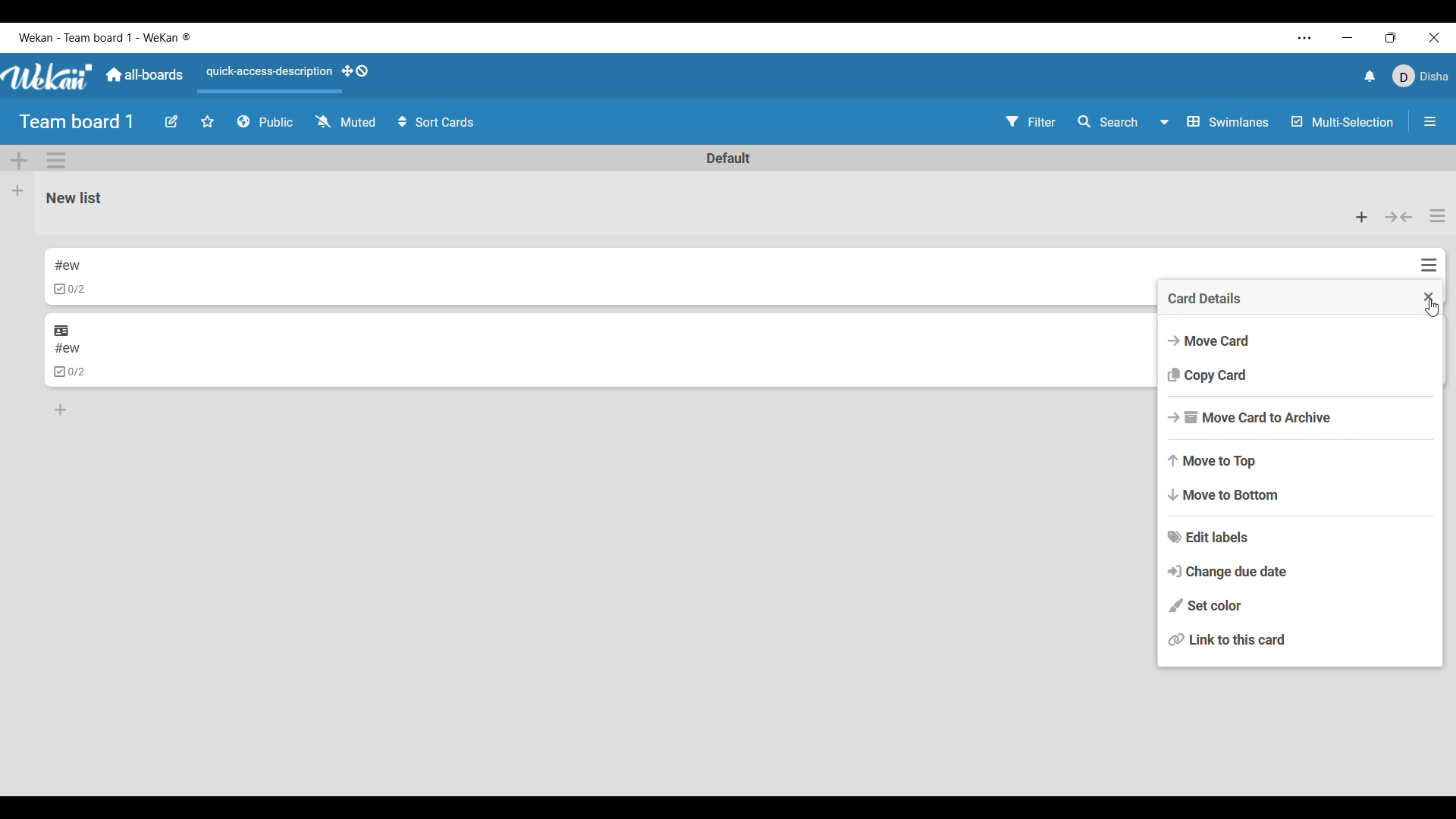 This screenshot has height=819, width=1456. What do you see at coordinates (729, 158) in the screenshot?
I see `Swimlane name` at bounding box center [729, 158].